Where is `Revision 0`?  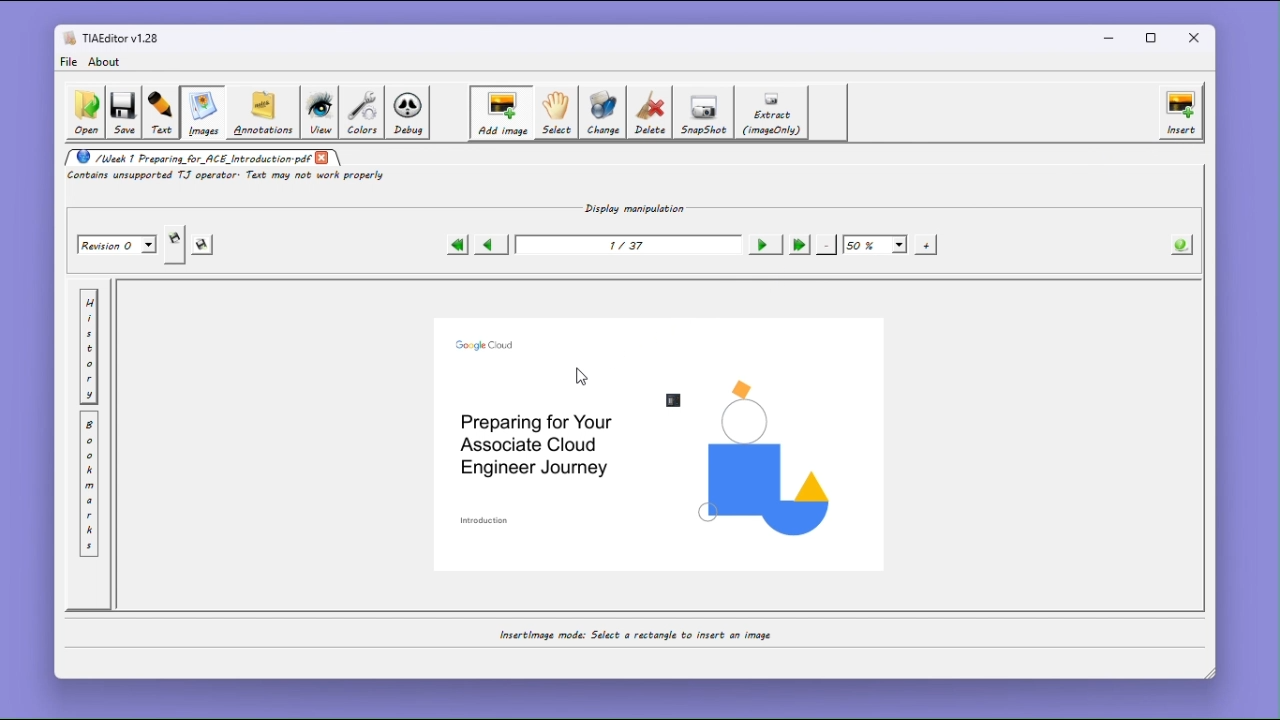
Revision 0 is located at coordinates (118, 245).